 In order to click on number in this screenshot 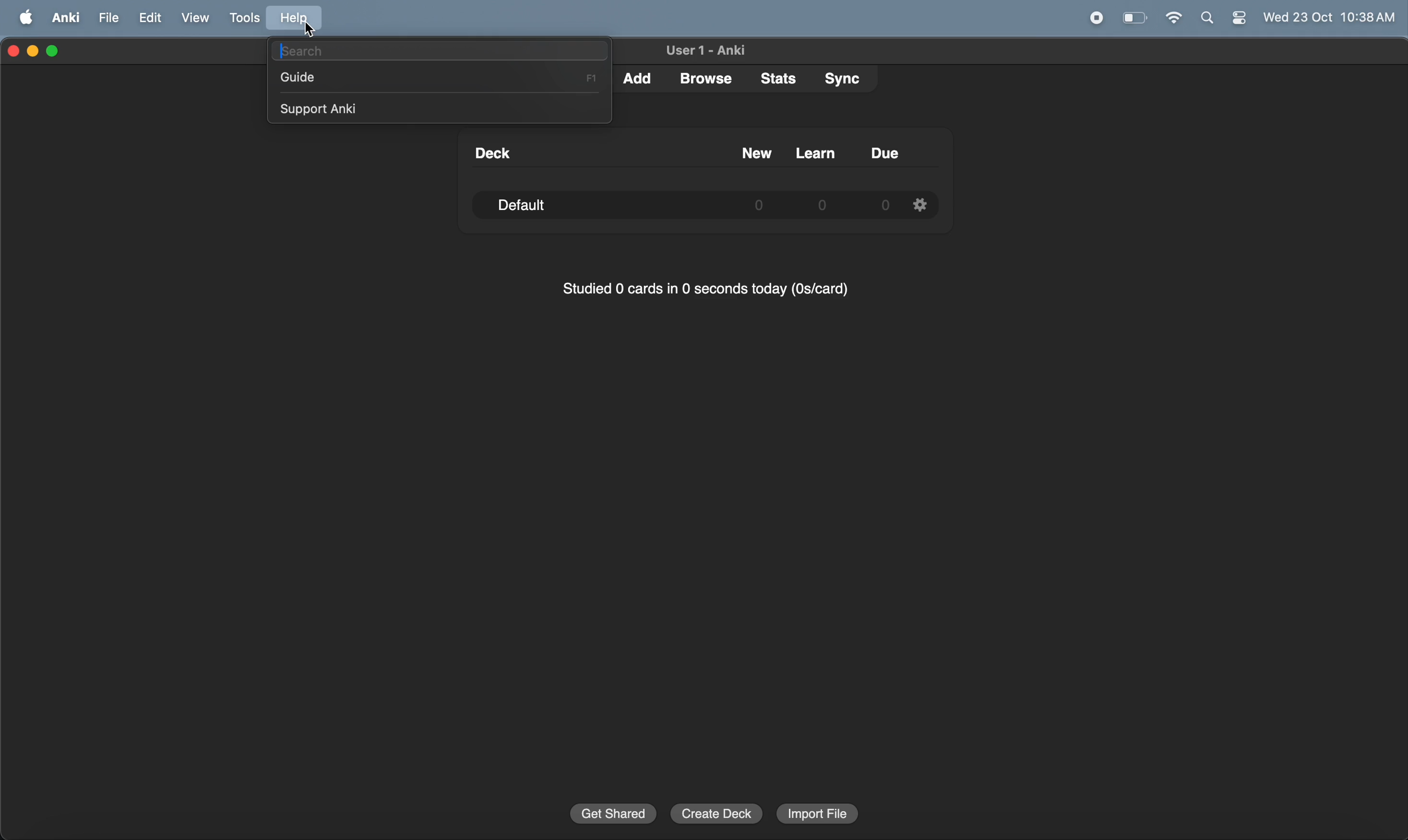, I will do `click(883, 206)`.